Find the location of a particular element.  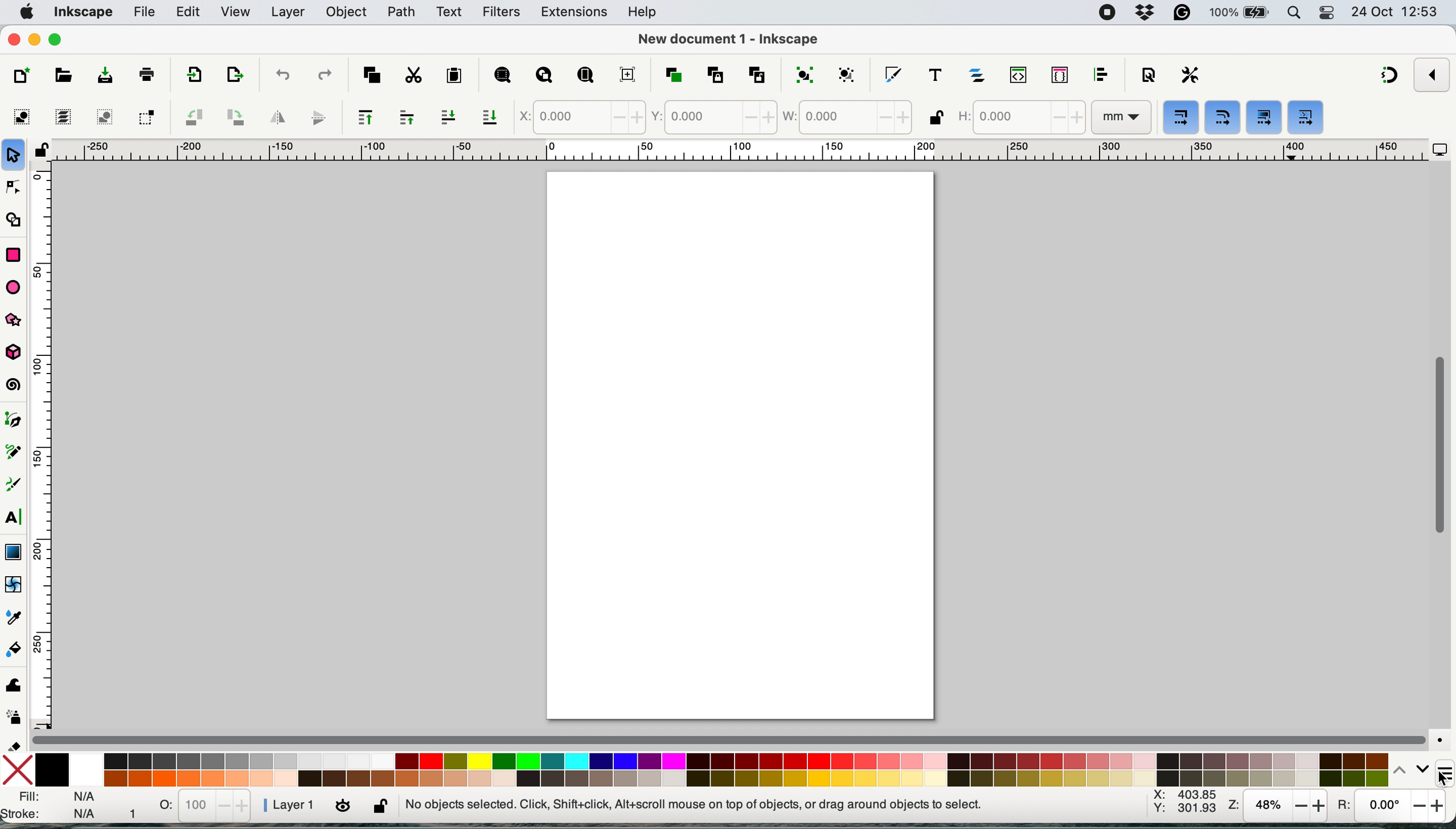

pencil tool is located at coordinates (17, 454).